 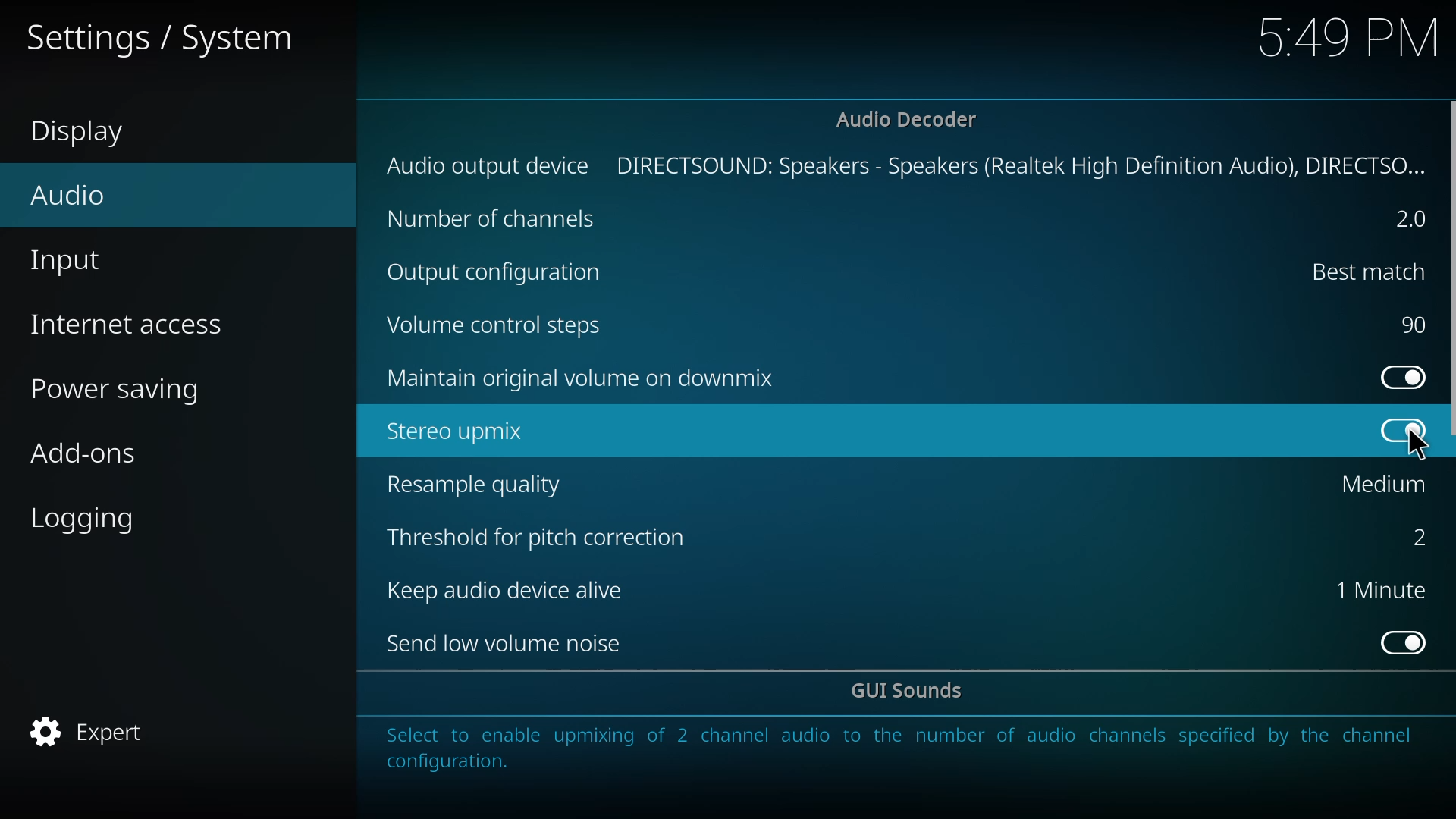 What do you see at coordinates (87, 454) in the screenshot?
I see `add-ons` at bounding box center [87, 454].